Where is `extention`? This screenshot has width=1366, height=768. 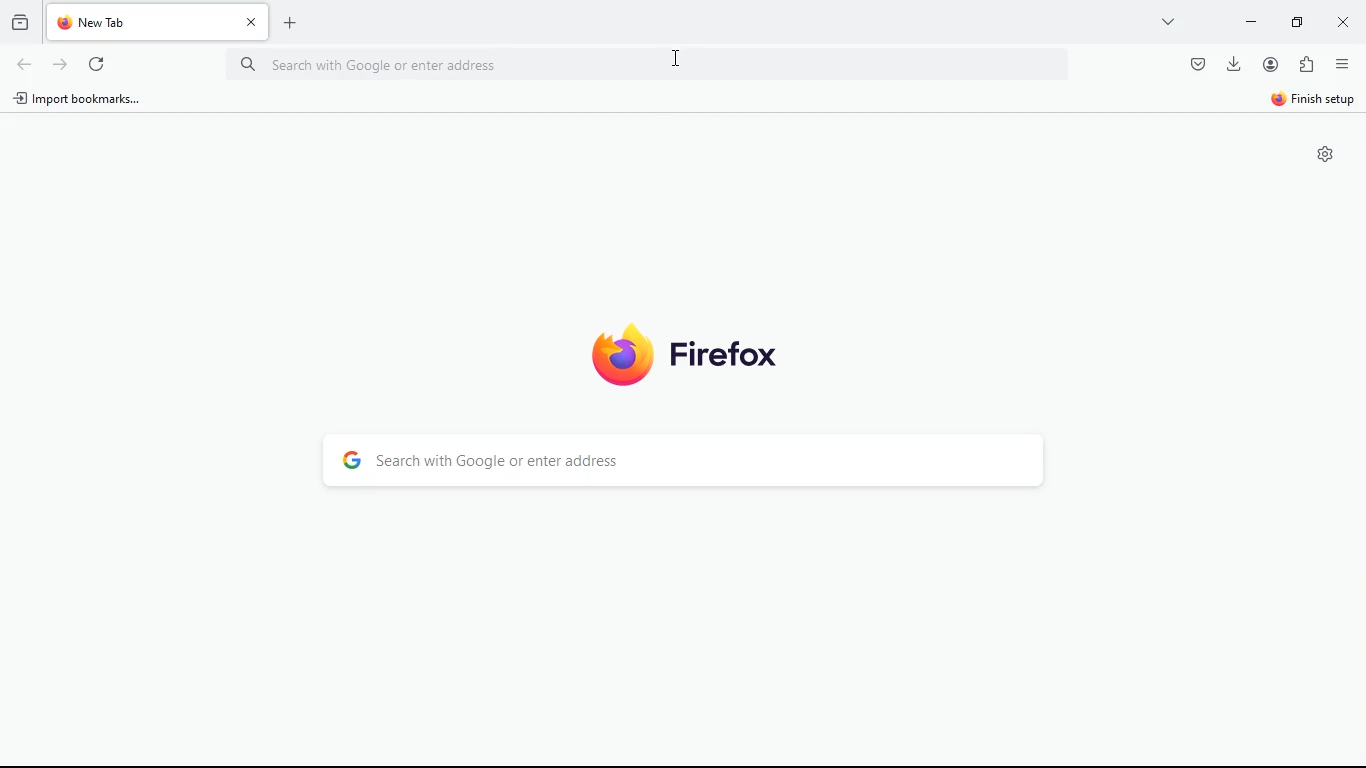
extention is located at coordinates (1308, 64).